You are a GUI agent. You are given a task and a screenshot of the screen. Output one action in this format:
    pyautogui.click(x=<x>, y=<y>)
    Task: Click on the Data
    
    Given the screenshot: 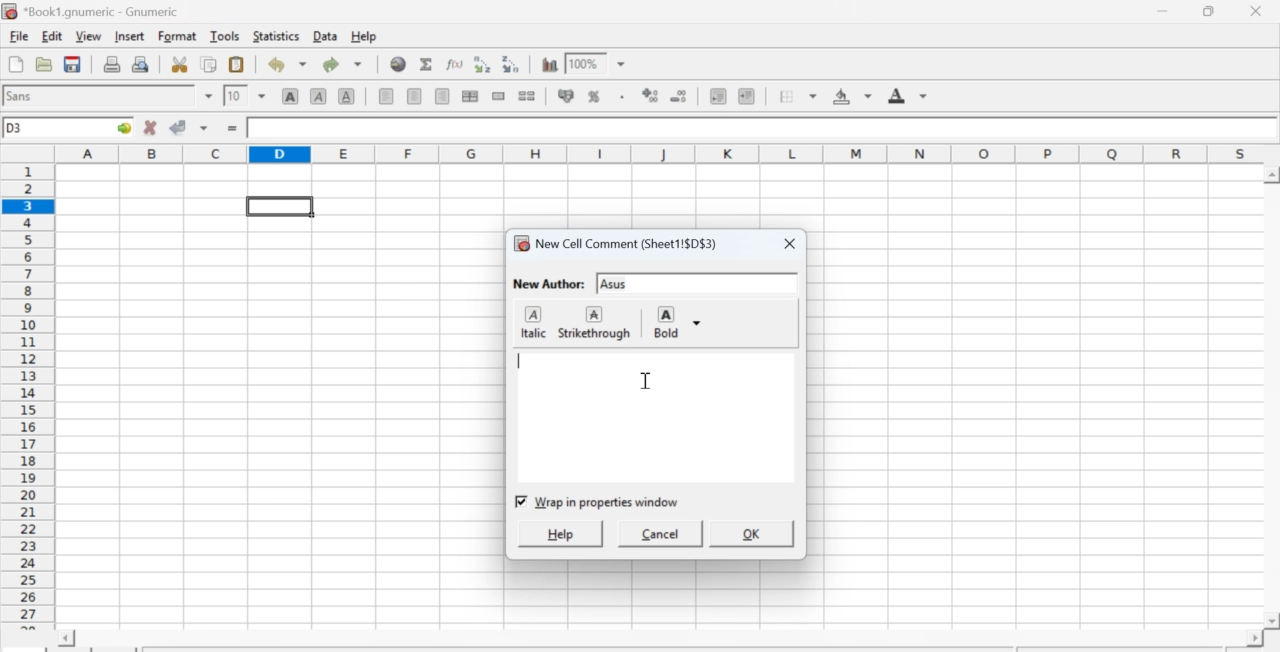 What is the action you would take?
    pyautogui.click(x=326, y=36)
    